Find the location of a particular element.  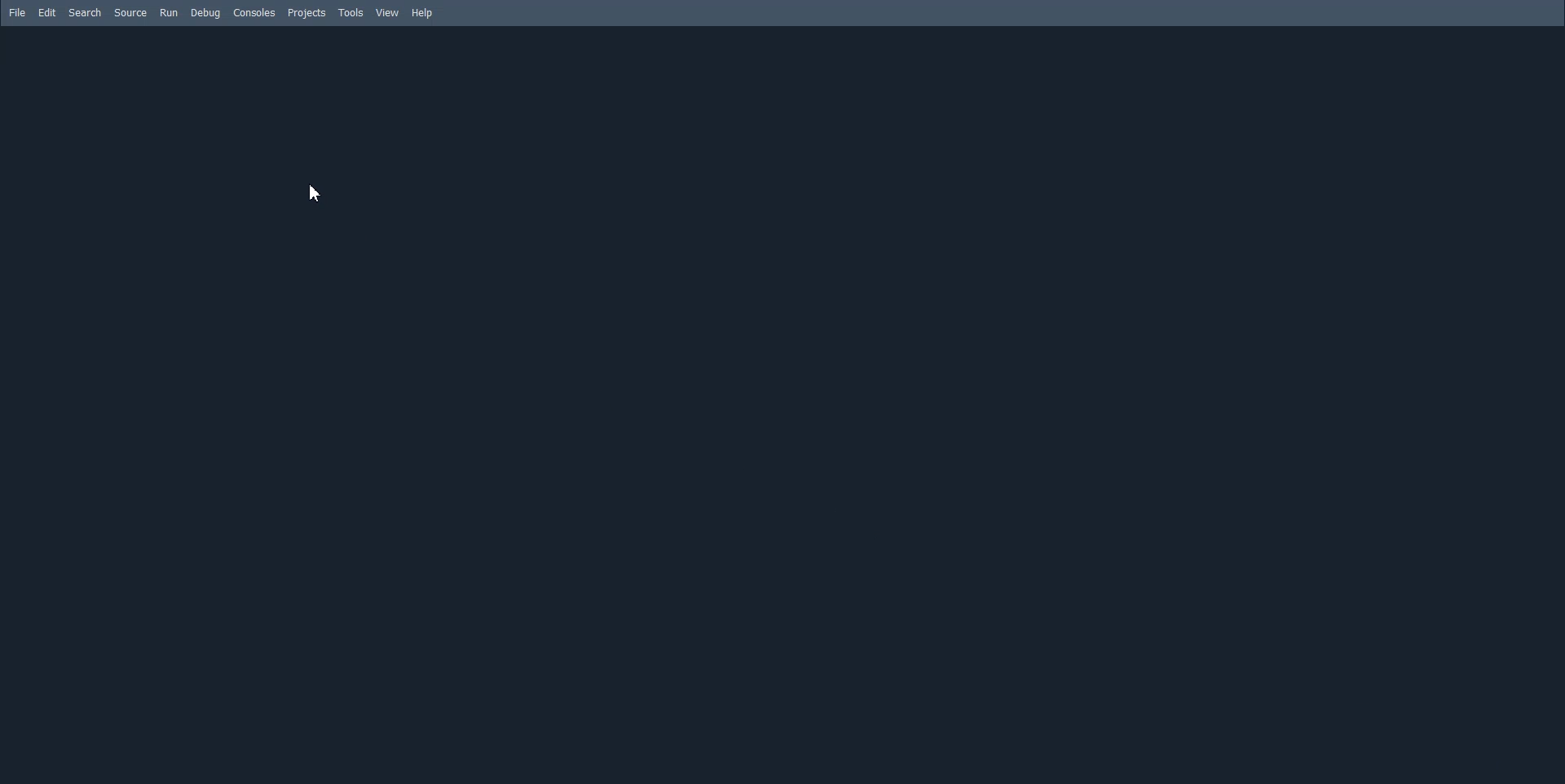

Edit is located at coordinates (47, 13).